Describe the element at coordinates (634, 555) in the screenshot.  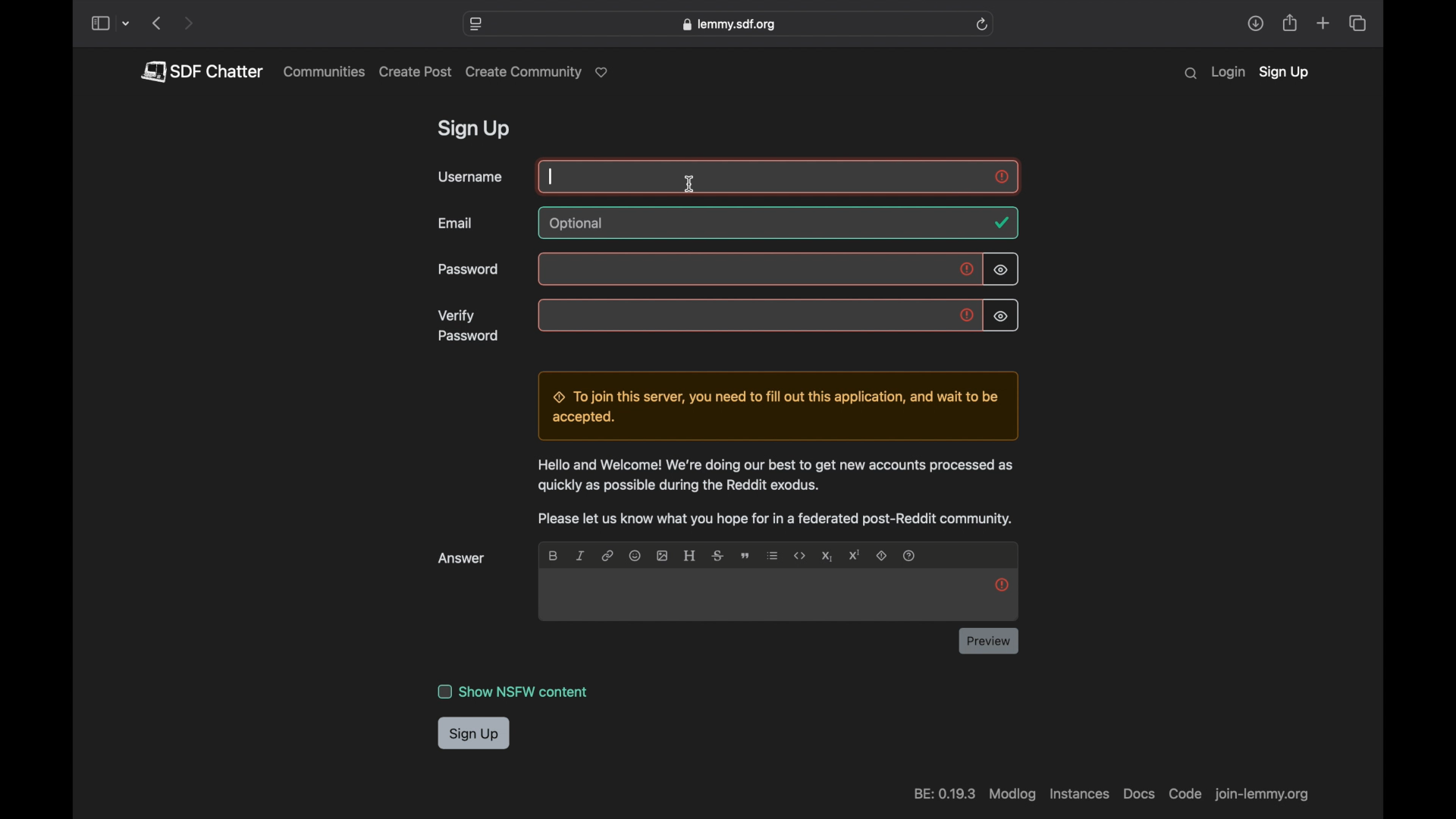
I see `emoji` at that location.